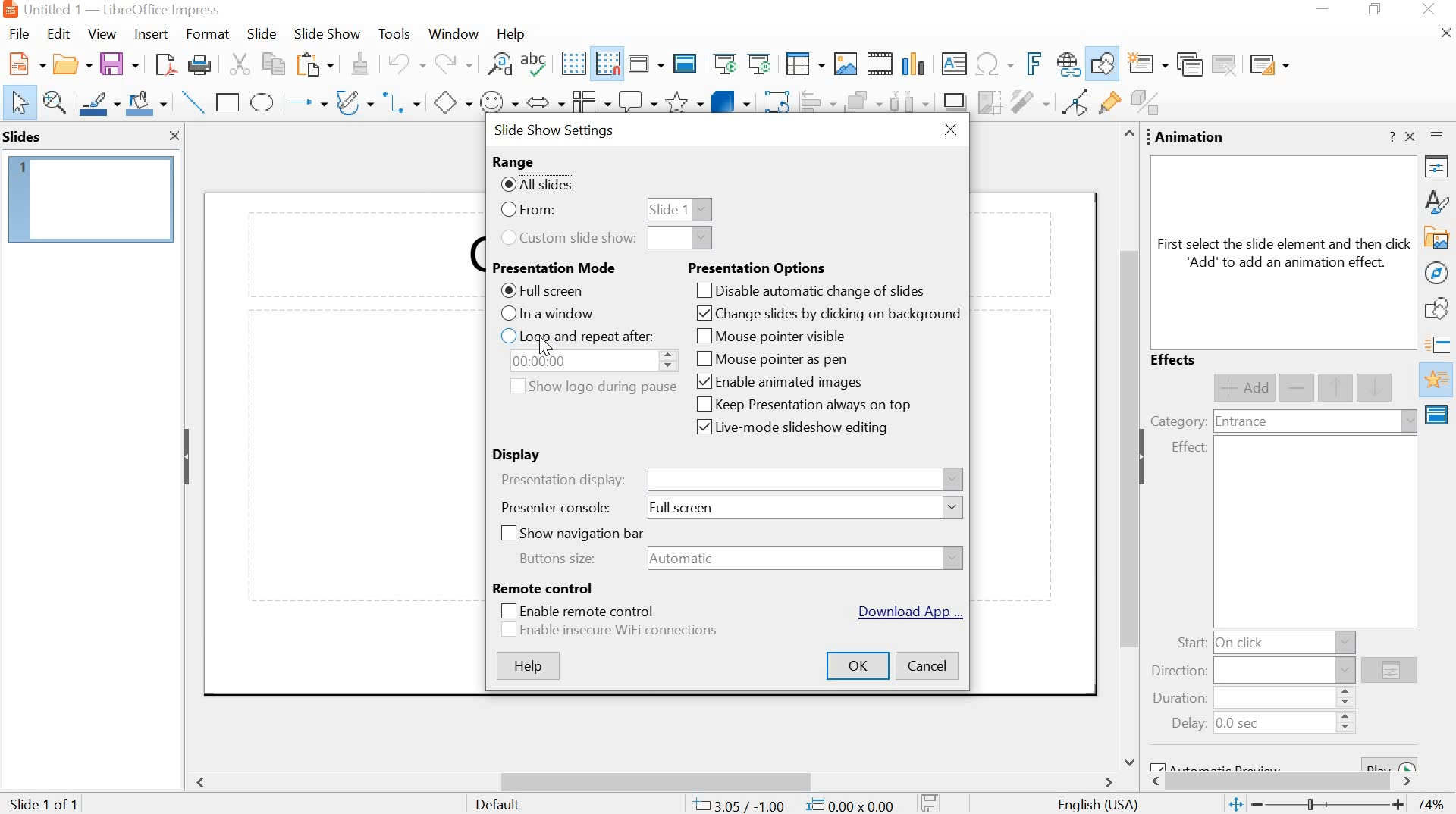 This screenshot has width=1456, height=814. I want to click on custom slideshow, so click(570, 239).